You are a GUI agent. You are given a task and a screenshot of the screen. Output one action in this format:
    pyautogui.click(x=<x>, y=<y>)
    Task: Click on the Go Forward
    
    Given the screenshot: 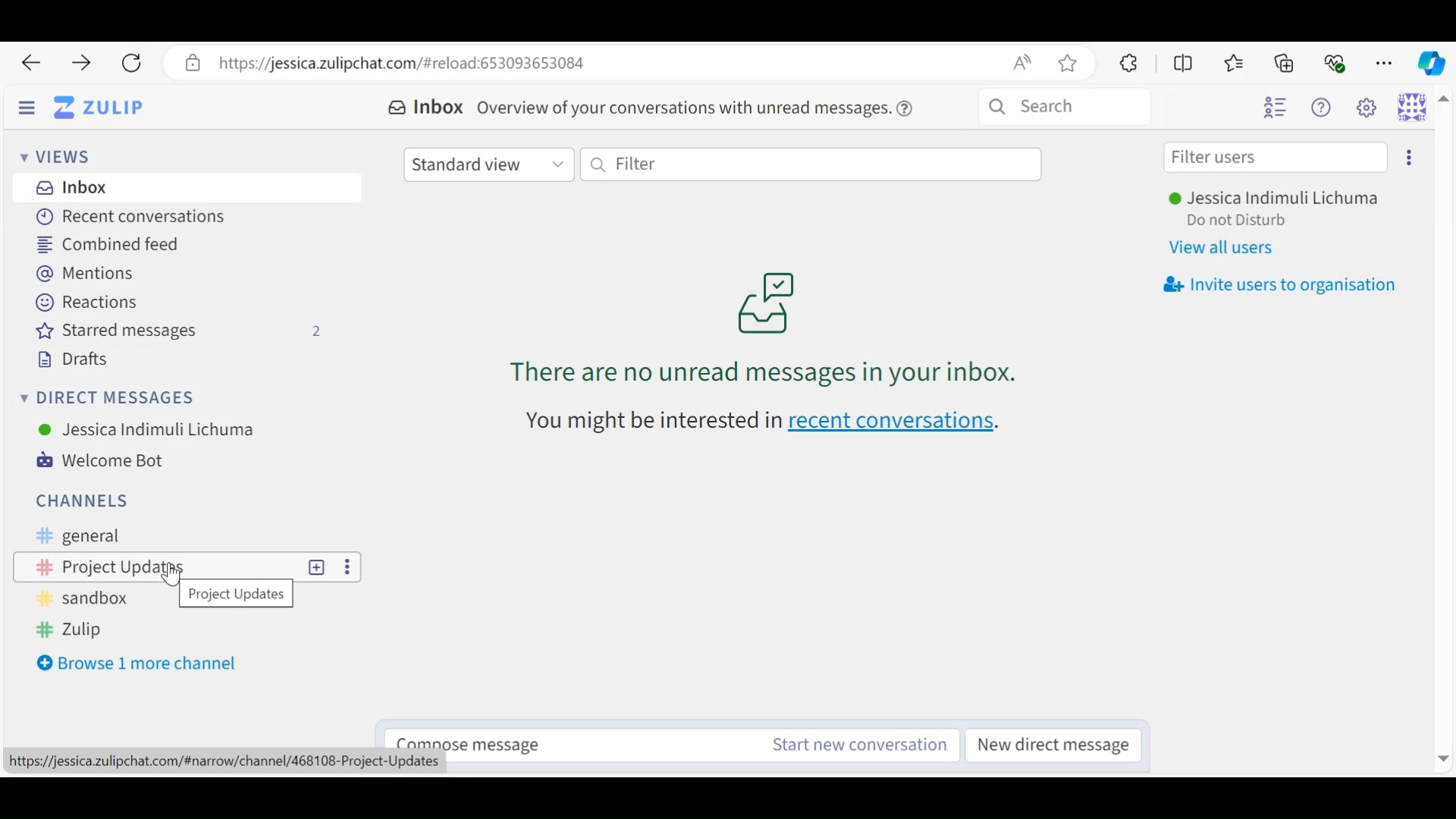 What is the action you would take?
    pyautogui.click(x=76, y=63)
    